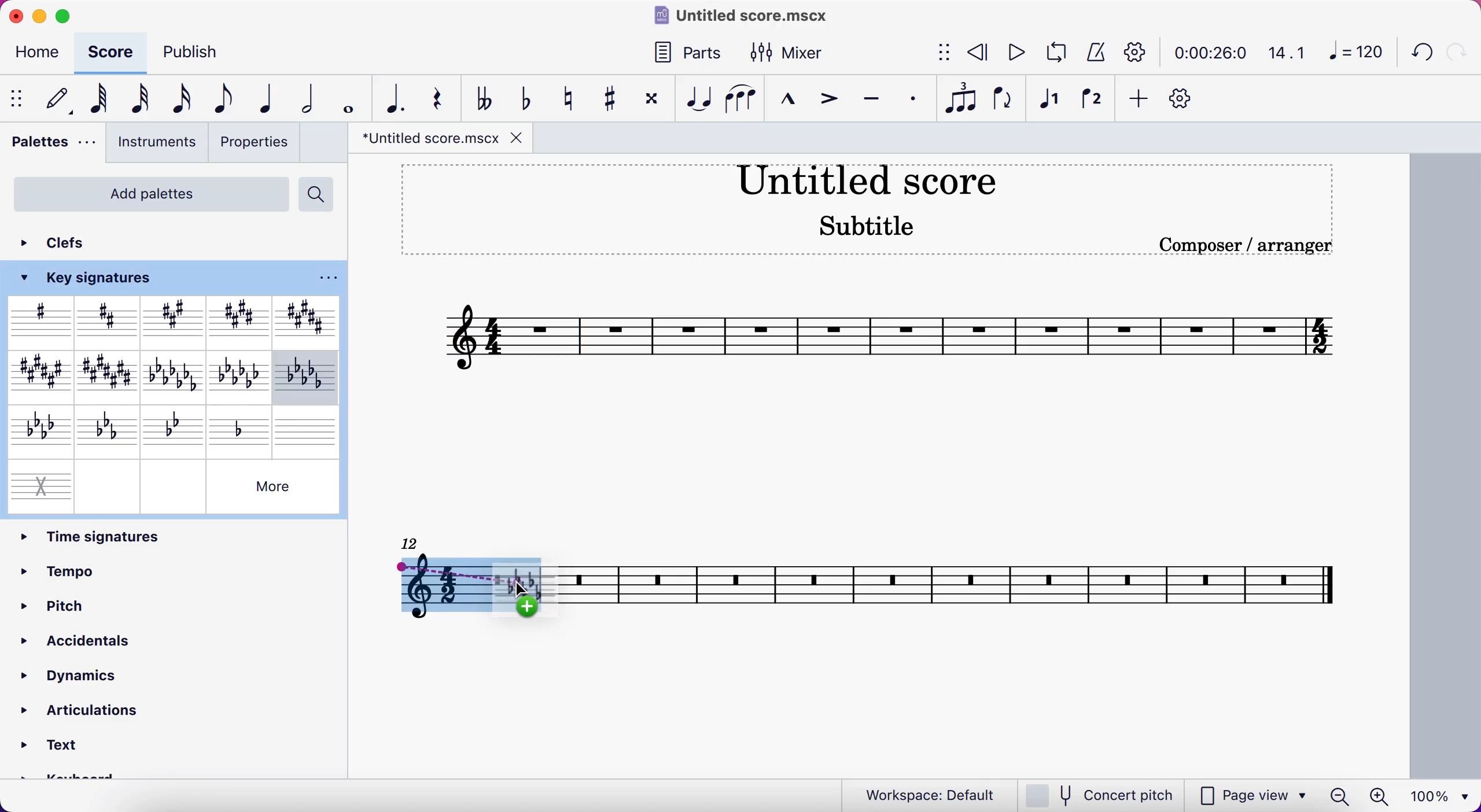  I want to click on add, so click(1140, 98).